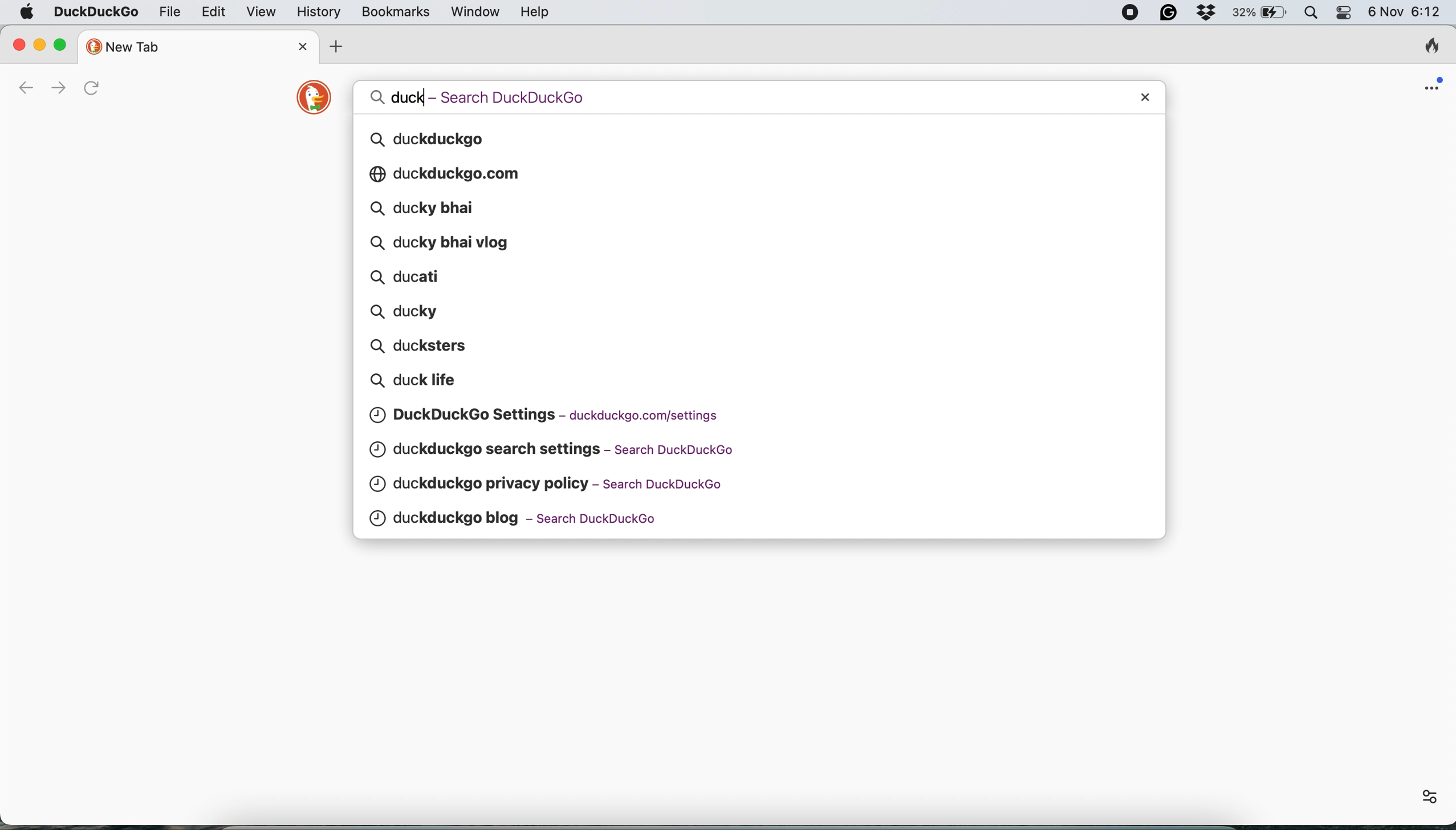  What do you see at coordinates (215, 11) in the screenshot?
I see `edit` at bounding box center [215, 11].